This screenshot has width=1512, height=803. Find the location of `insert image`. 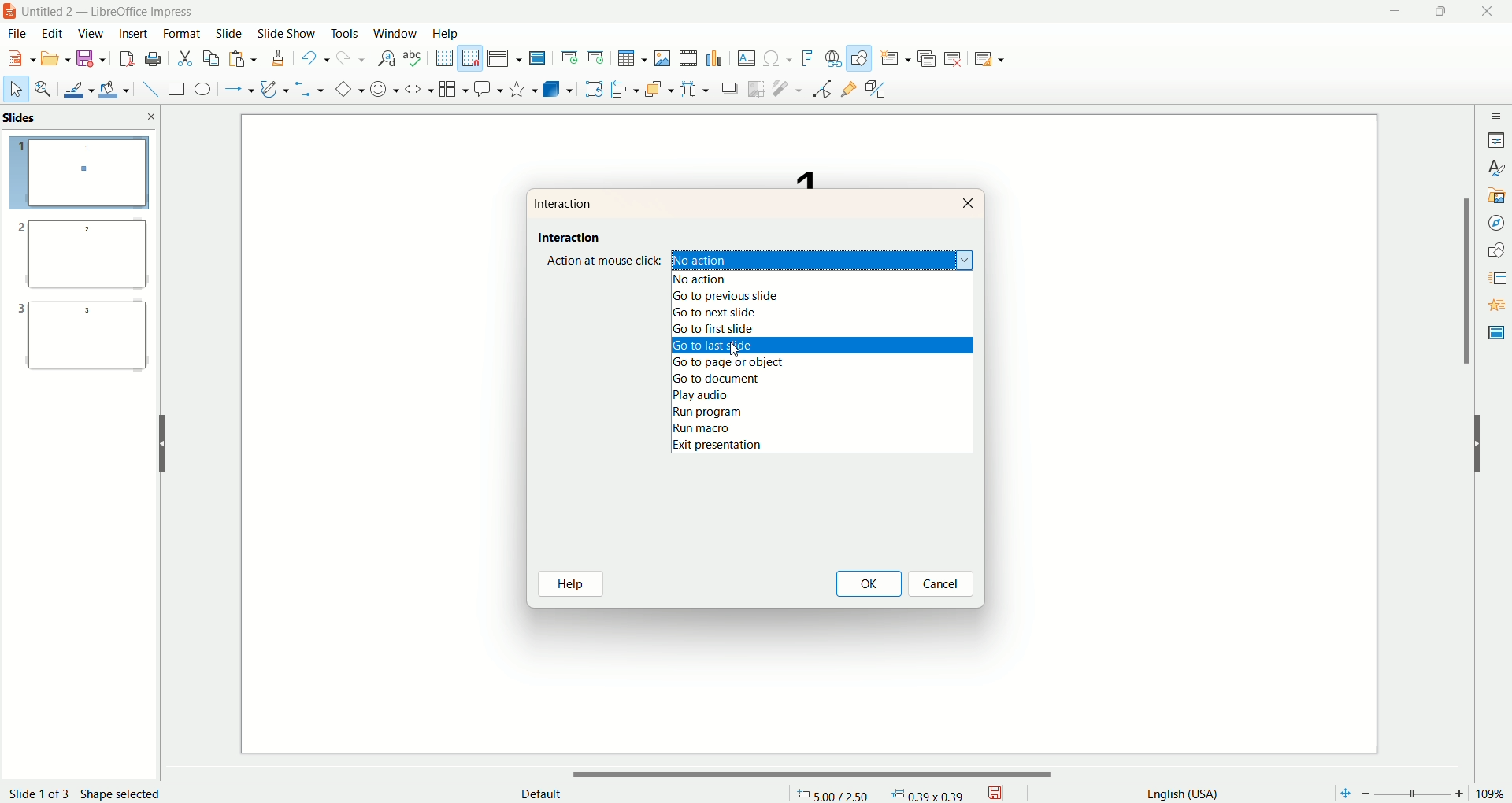

insert image is located at coordinates (663, 57).